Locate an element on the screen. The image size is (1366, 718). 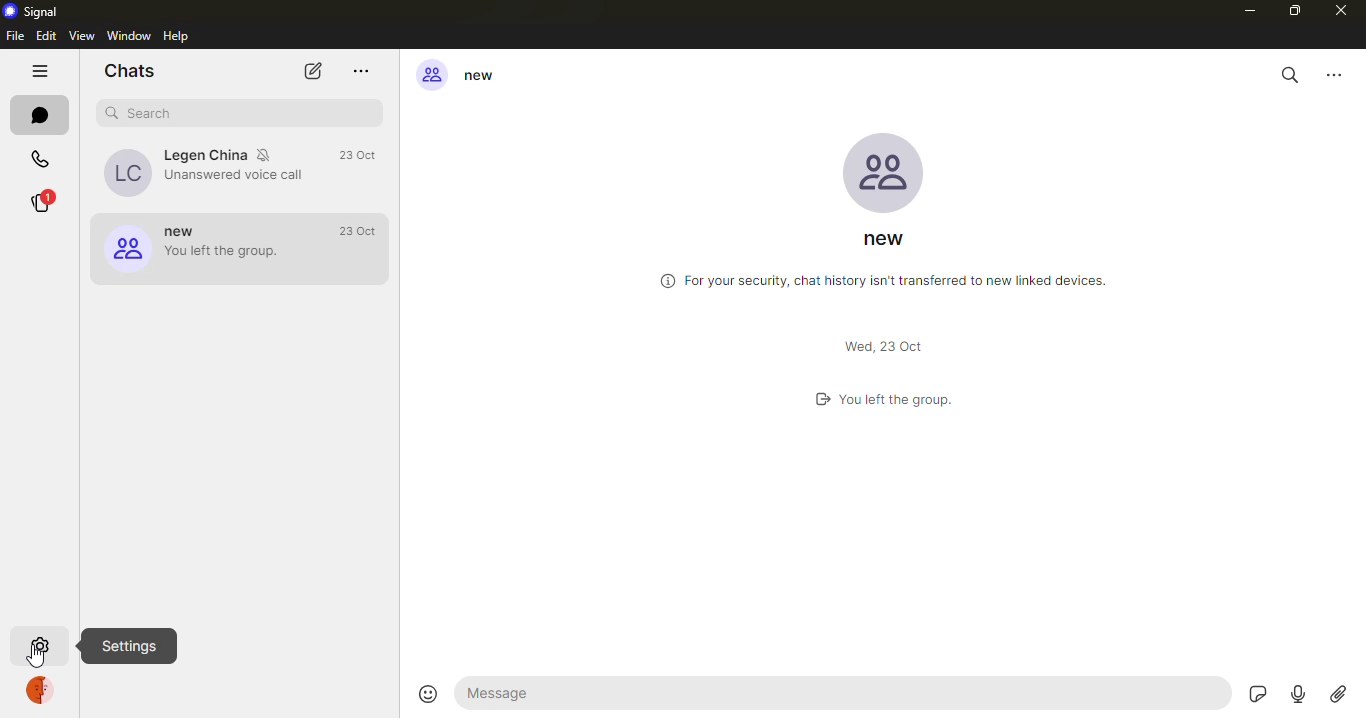
date is located at coordinates (365, 232).